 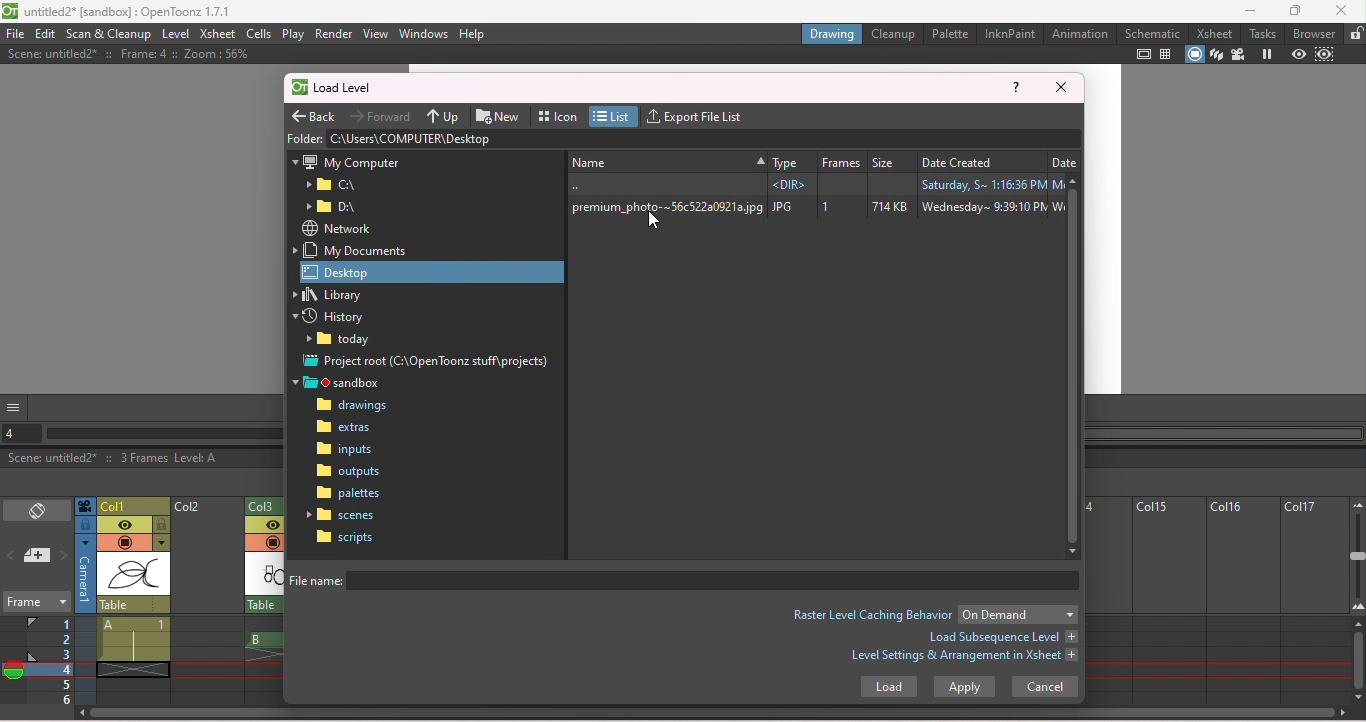 I want to click on Maximize, so click(x=1298, y=11).